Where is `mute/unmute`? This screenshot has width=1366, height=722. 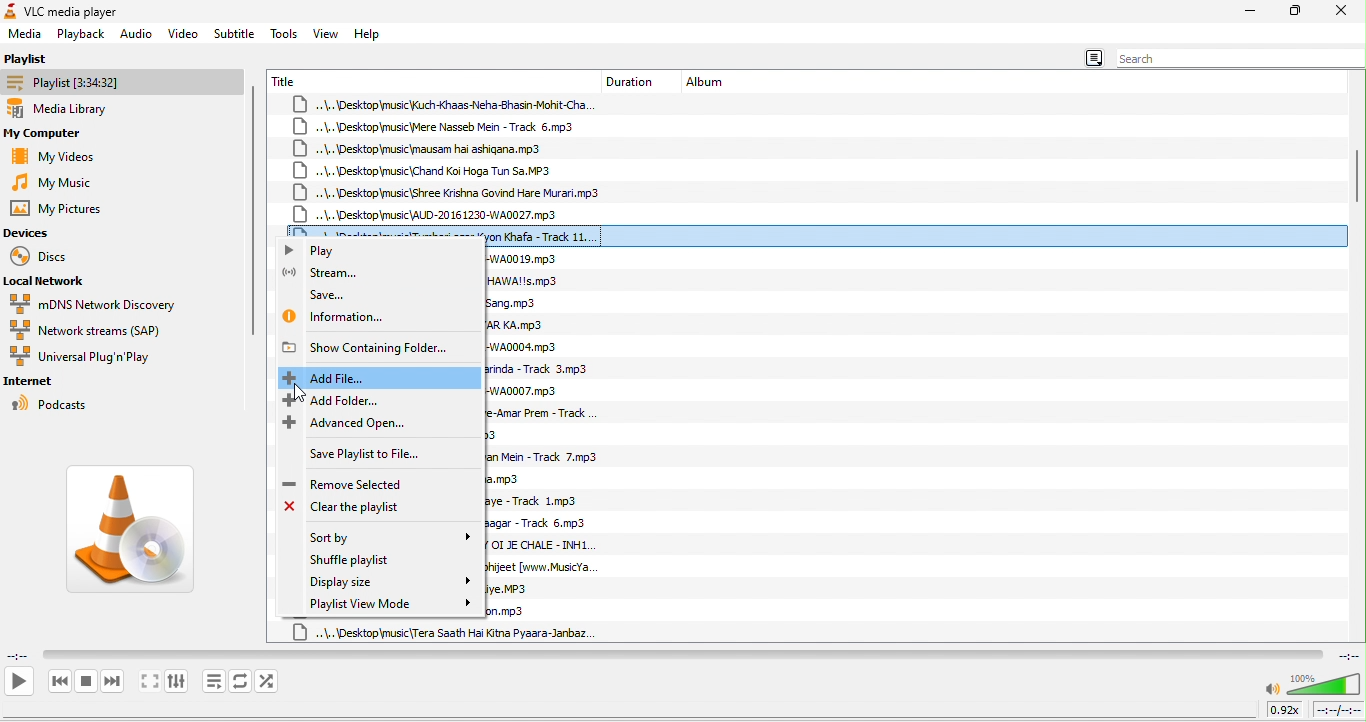 mute/unmute is located at coordinates (1272, 690).